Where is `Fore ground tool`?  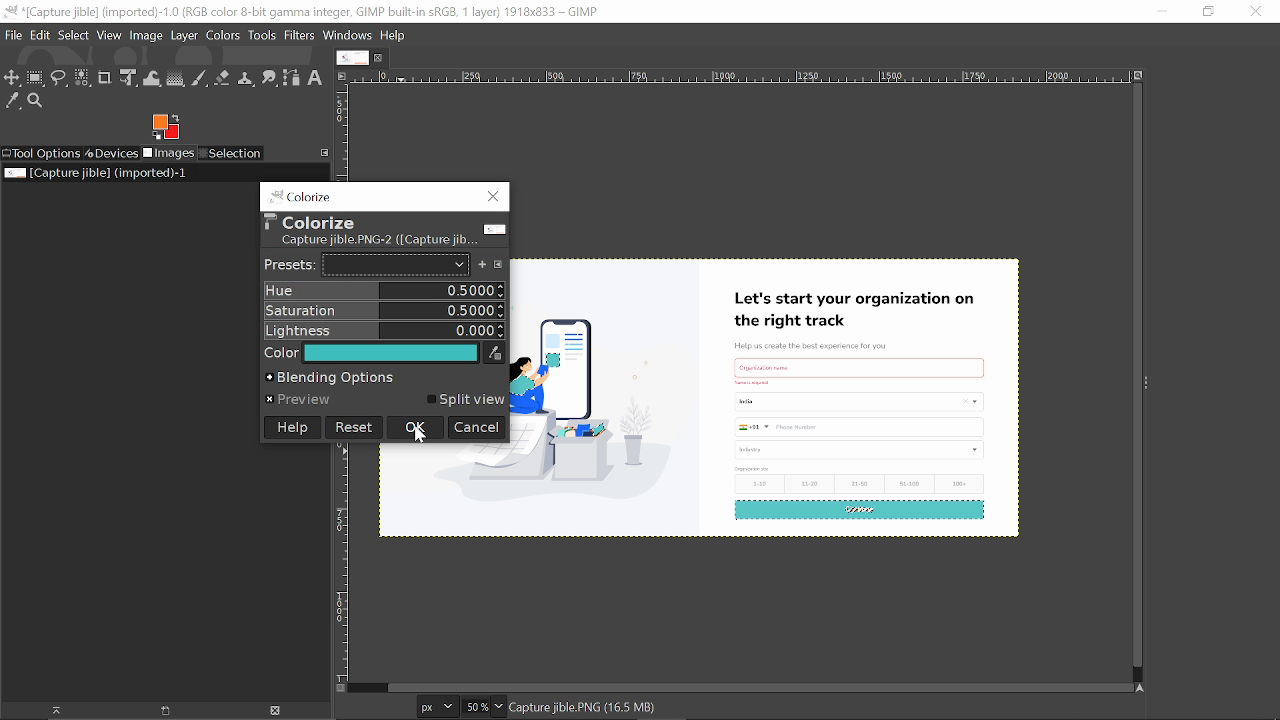 Fore ground tool is located at coordinates (164, 126).